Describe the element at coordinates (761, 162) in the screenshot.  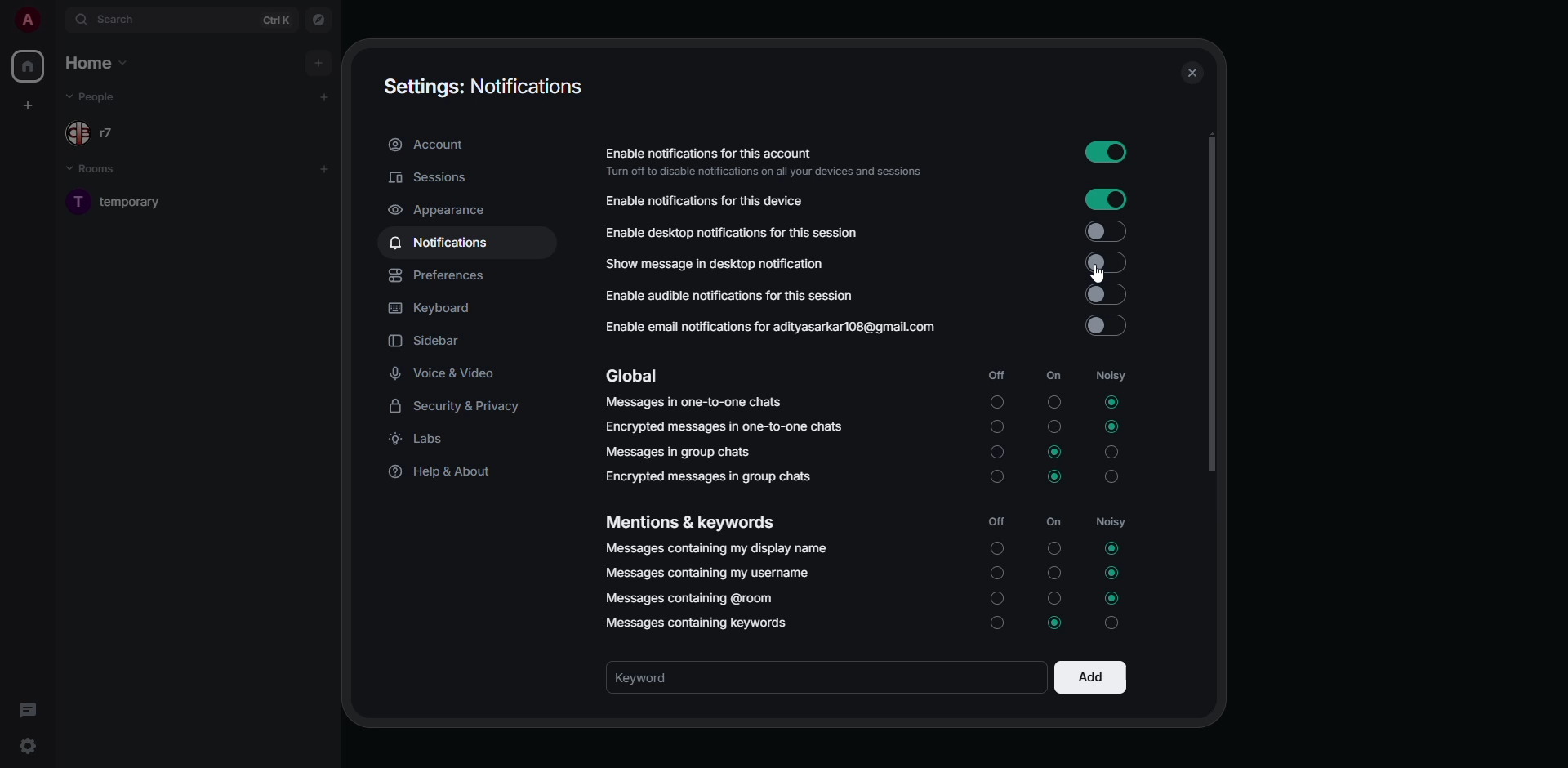
I see `enable notifications for this account` at that location.